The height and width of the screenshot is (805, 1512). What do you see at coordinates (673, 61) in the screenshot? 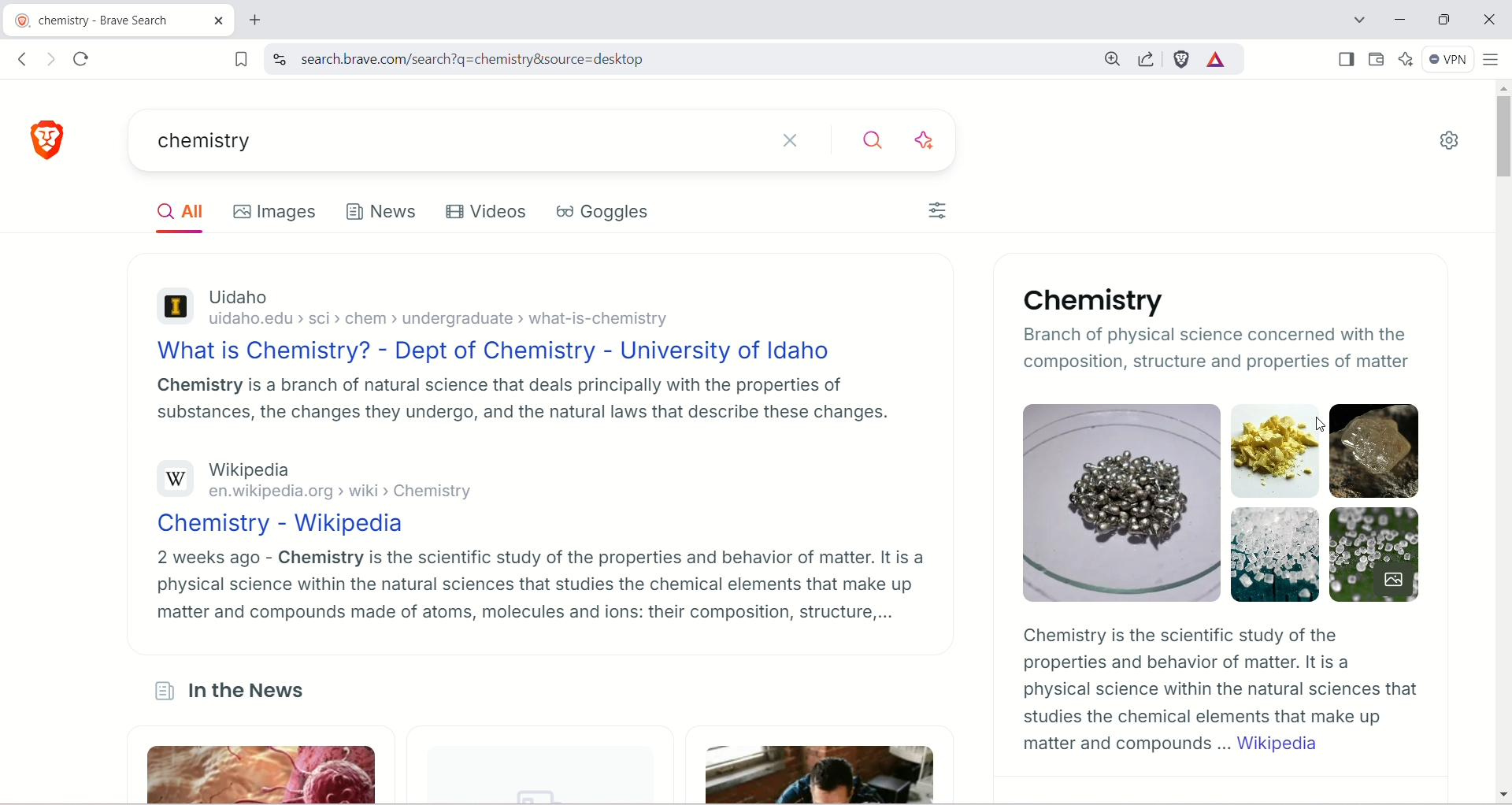
I see `search` at bounding box center [673, 61].